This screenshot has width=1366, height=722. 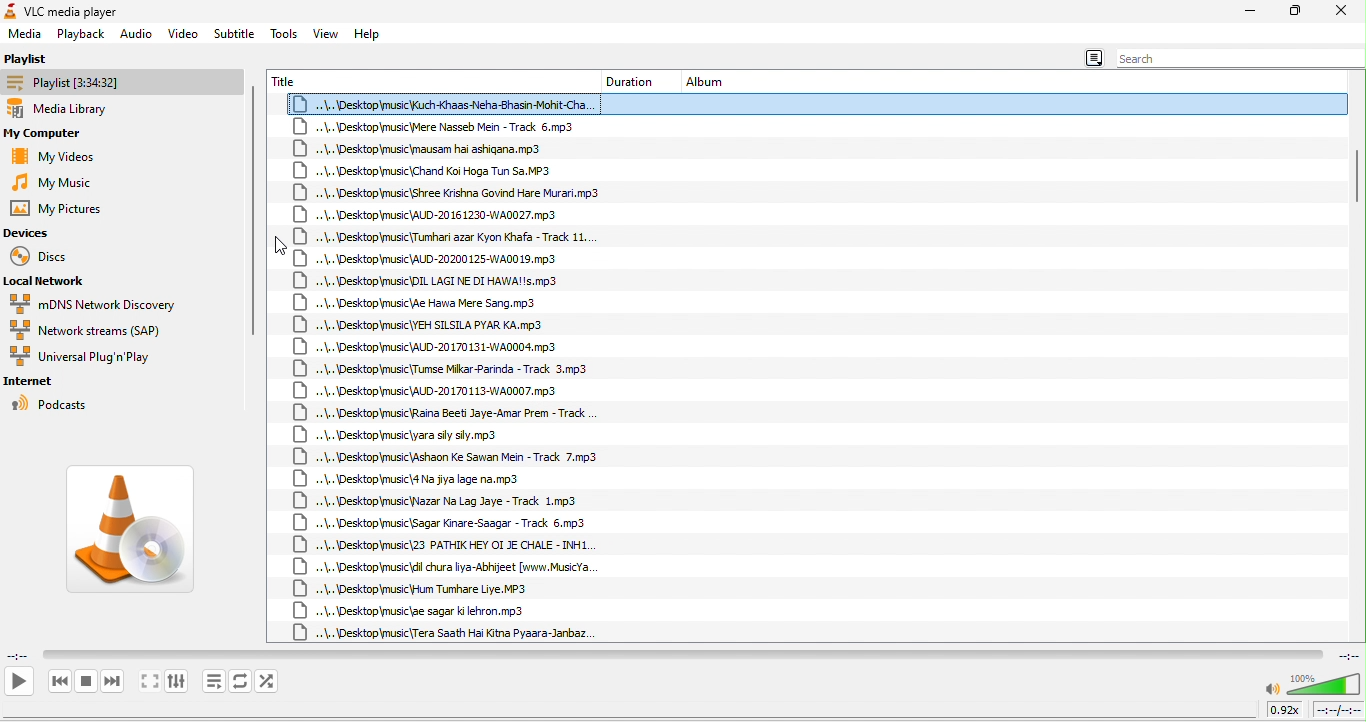 What do you see at coordinates (55, 255) in the screenshot?
I see `discs` at bounding box center [55, 255].